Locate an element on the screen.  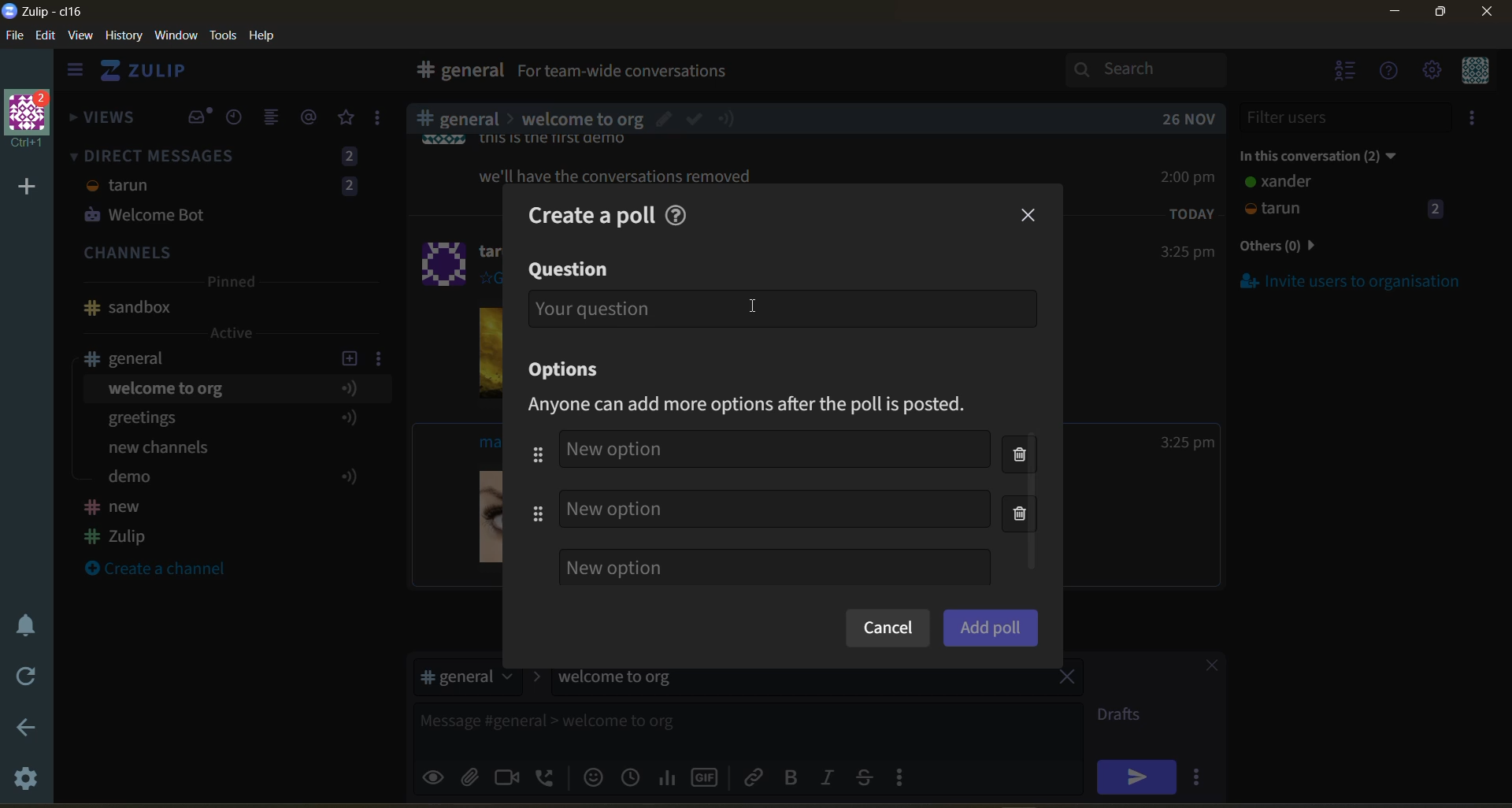
add global time is located at coordinates (634, 776).